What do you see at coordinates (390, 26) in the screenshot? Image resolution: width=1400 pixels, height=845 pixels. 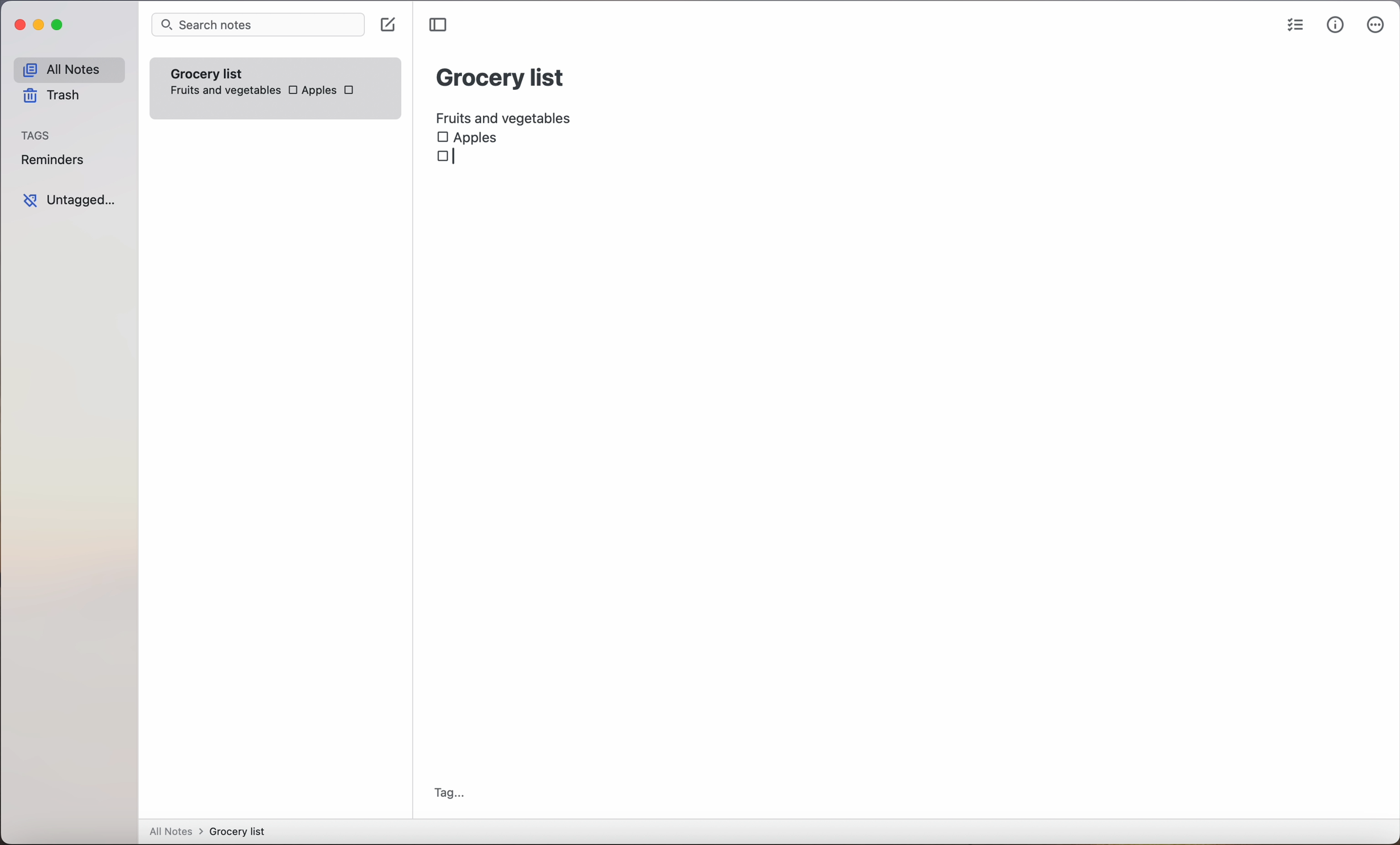 I see `click on create note` at bounding box center [390, 26].